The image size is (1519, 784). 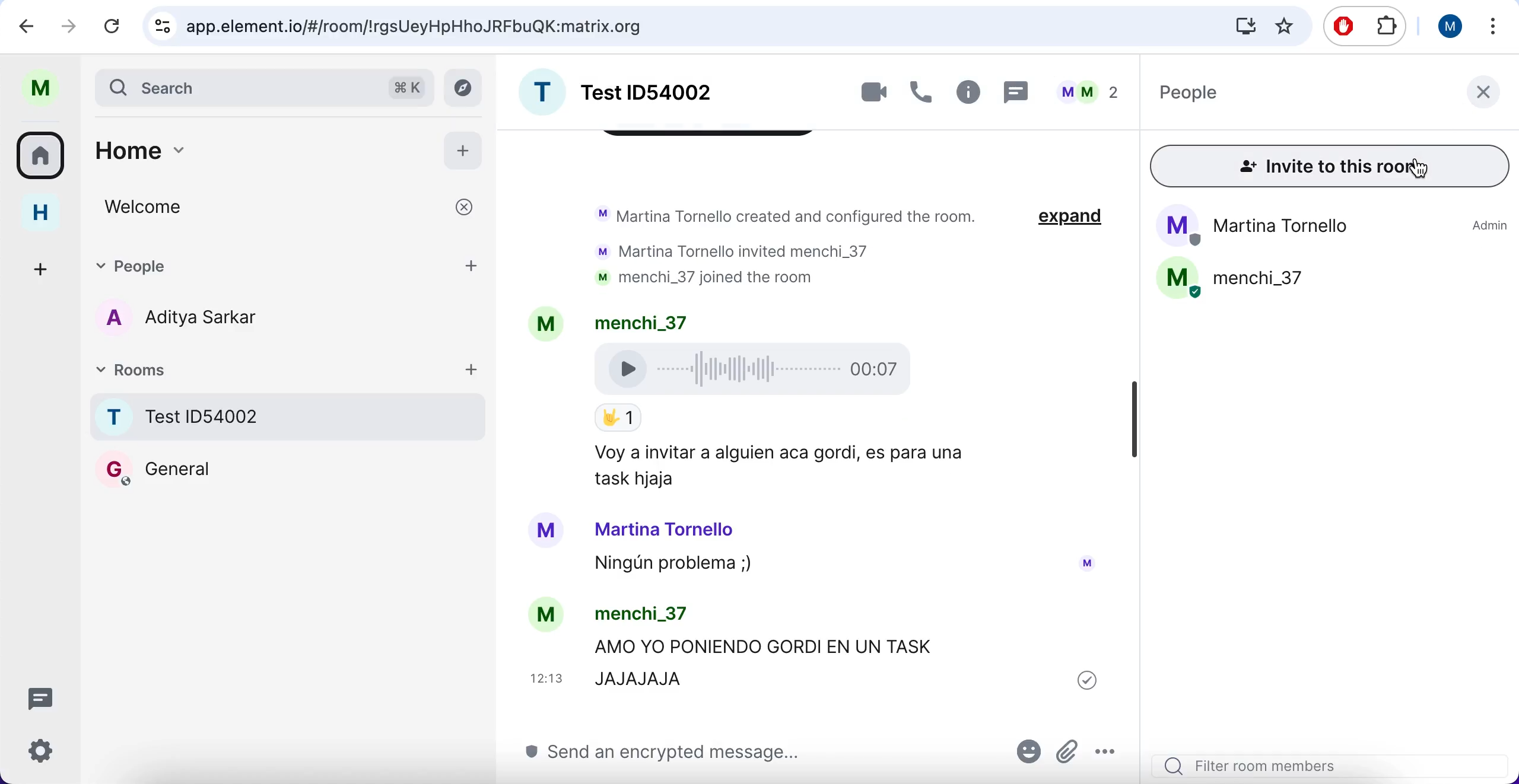 What do you see at coordinates (1113, 751) in the screenshot?
I see `options` at bounding box center [1113, 751].